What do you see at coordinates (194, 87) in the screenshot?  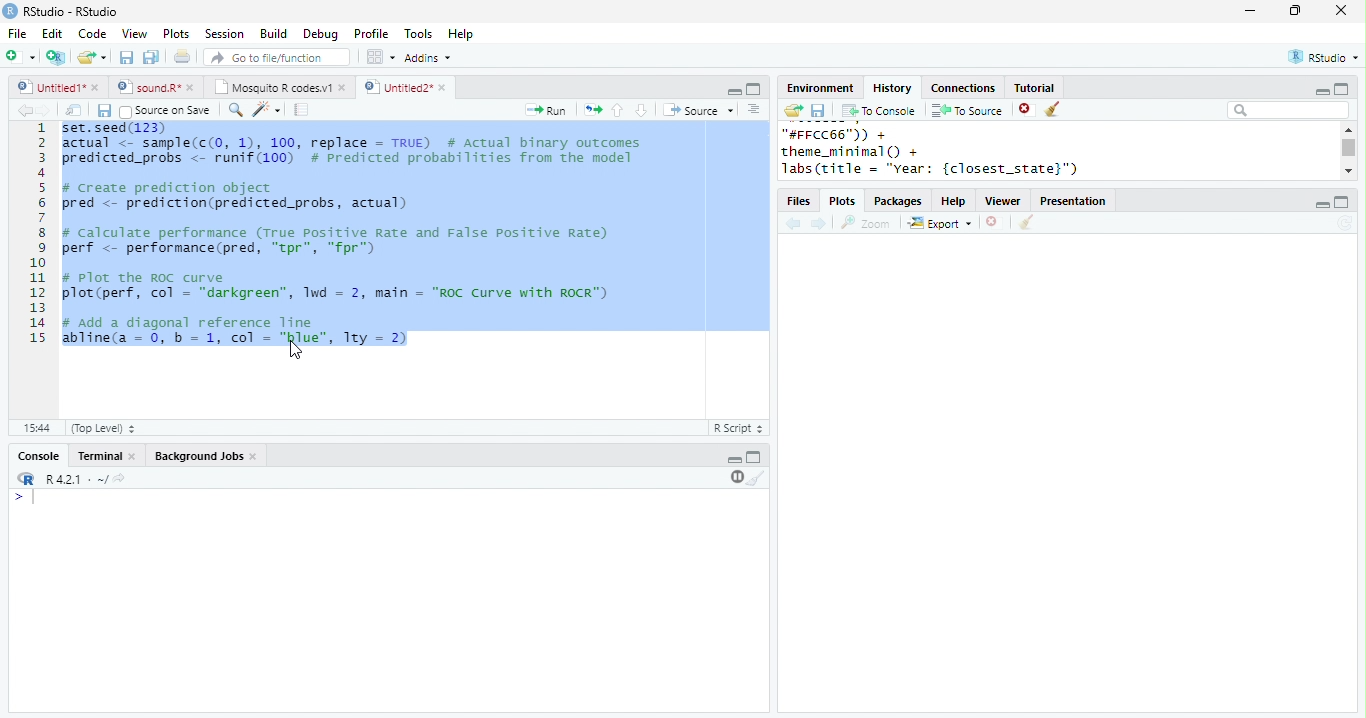 I see `close` at bounding box center [194, 87].